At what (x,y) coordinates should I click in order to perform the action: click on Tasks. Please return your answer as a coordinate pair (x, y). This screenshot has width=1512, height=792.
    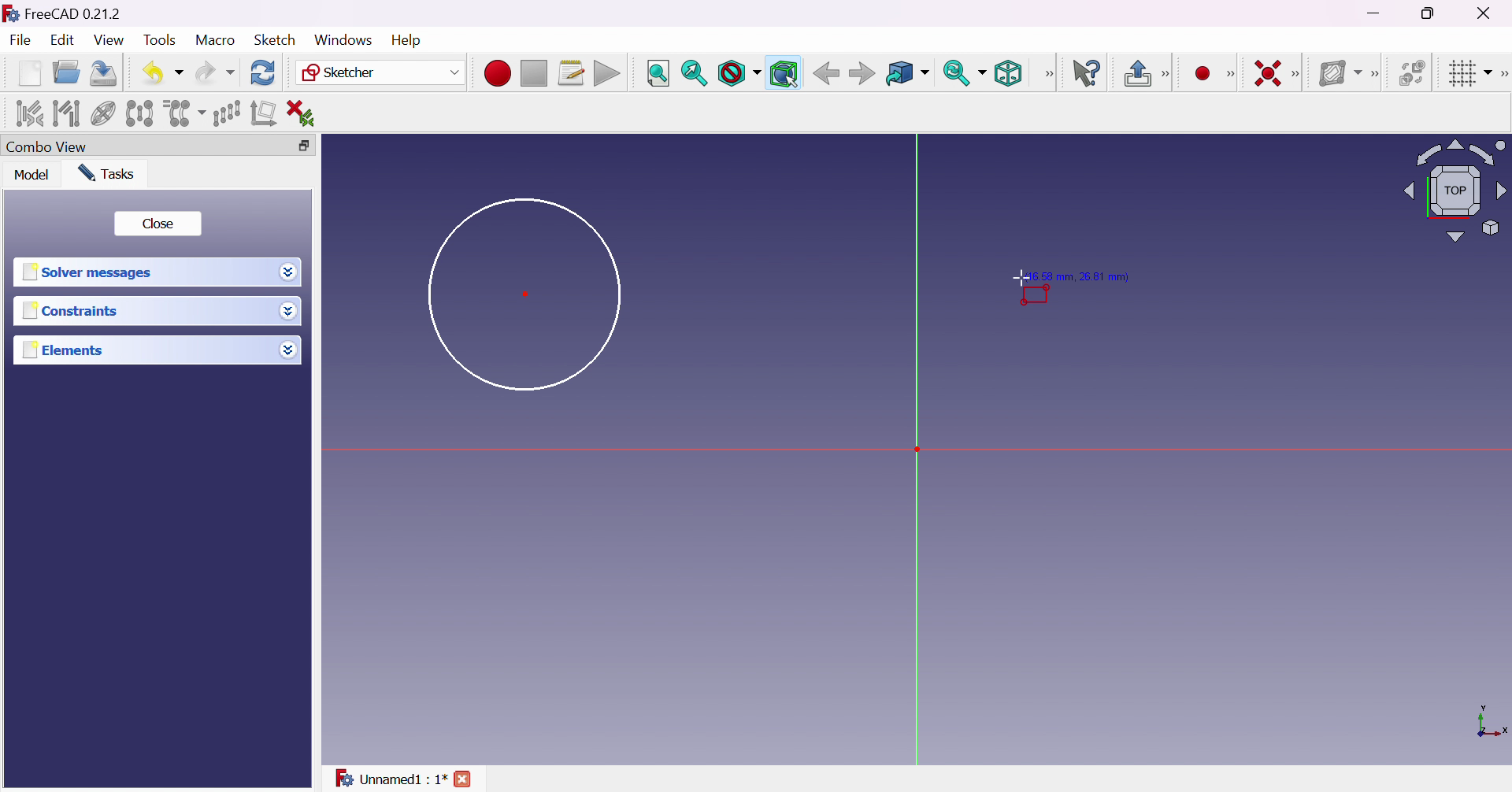
    Looking at the image, I should click on (106, 172).